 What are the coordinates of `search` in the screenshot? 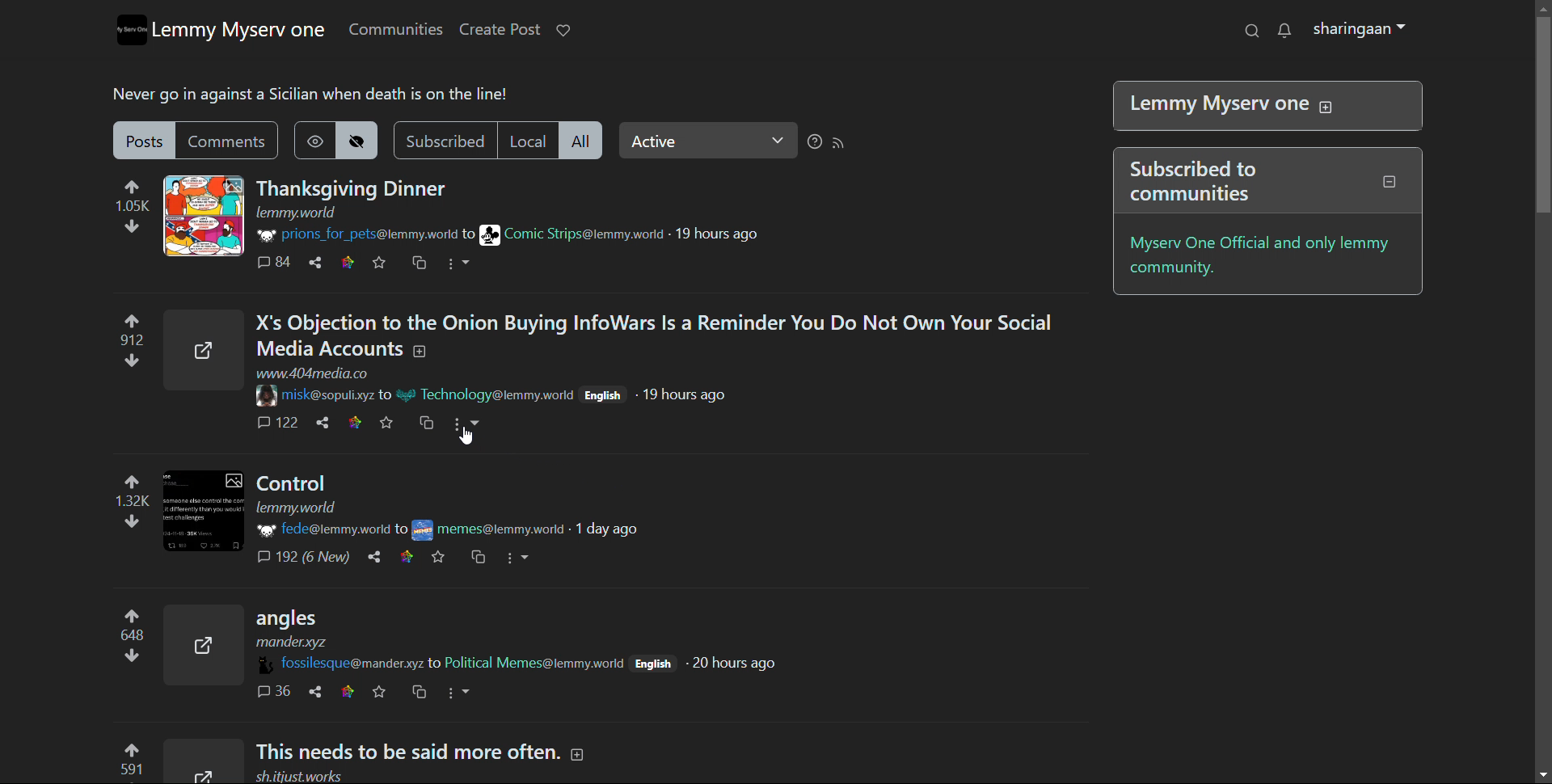 It's located at (1250, 31).